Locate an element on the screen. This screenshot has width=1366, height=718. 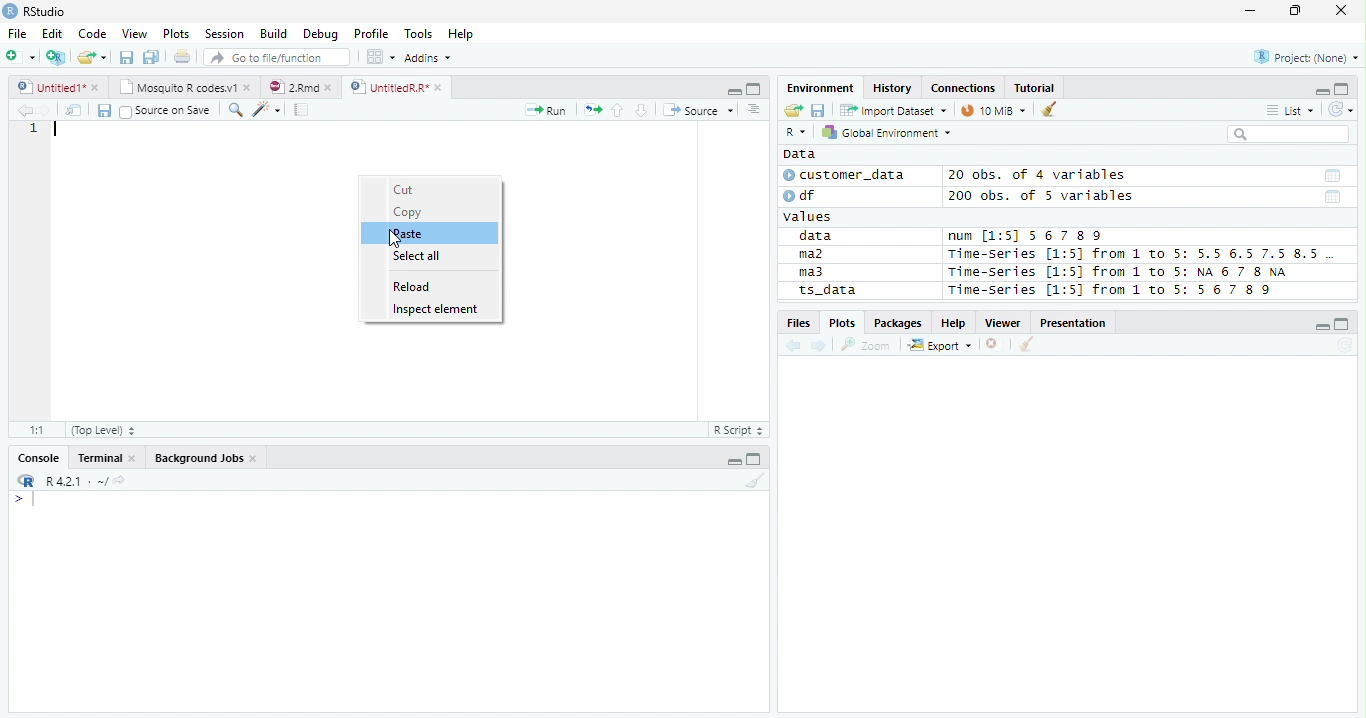
Presentation is located at coordinates (1076, 323).